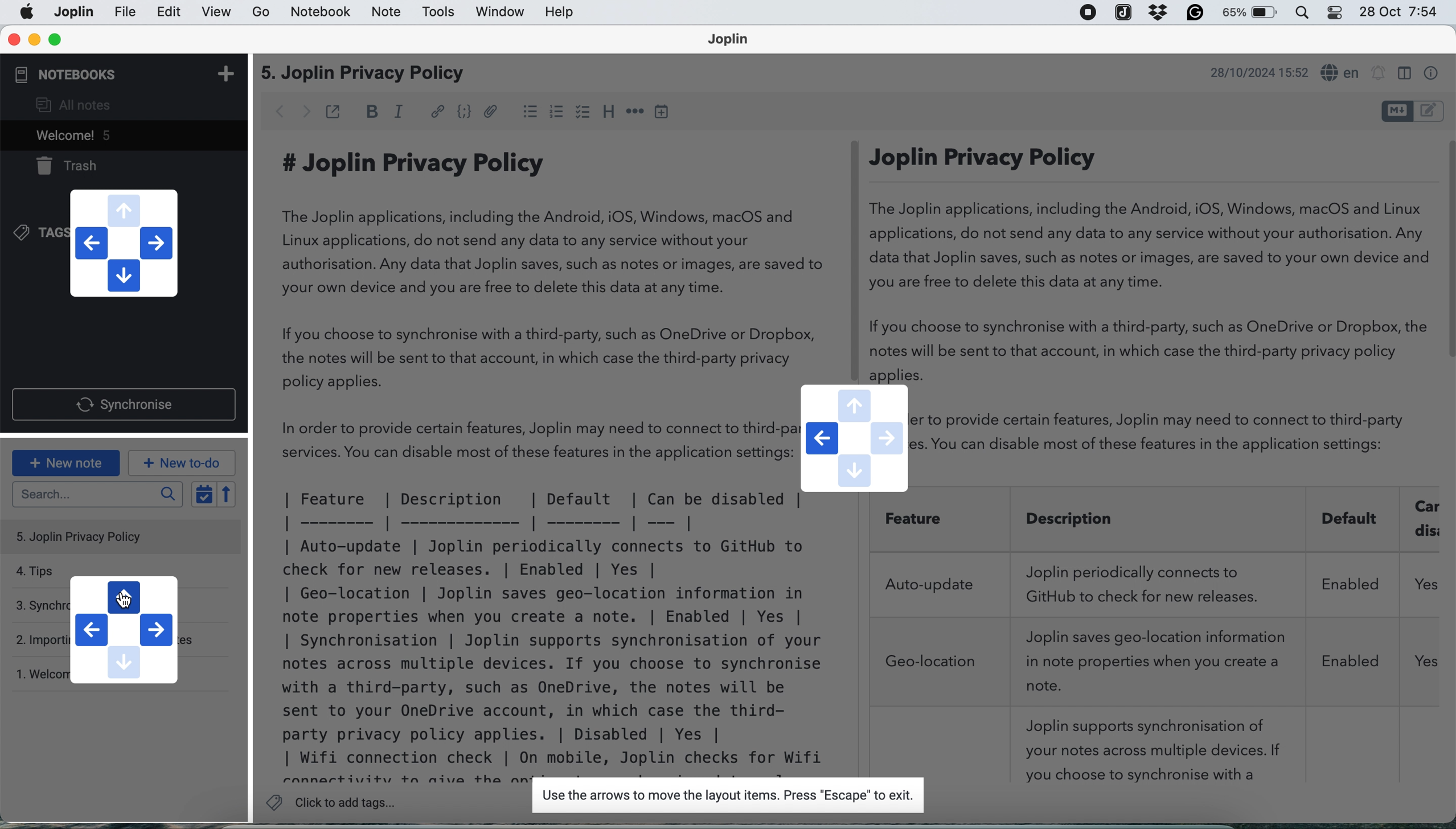 This screenshot has height=829, width=1456. I want to click on Apple menu, so click(28, 12).